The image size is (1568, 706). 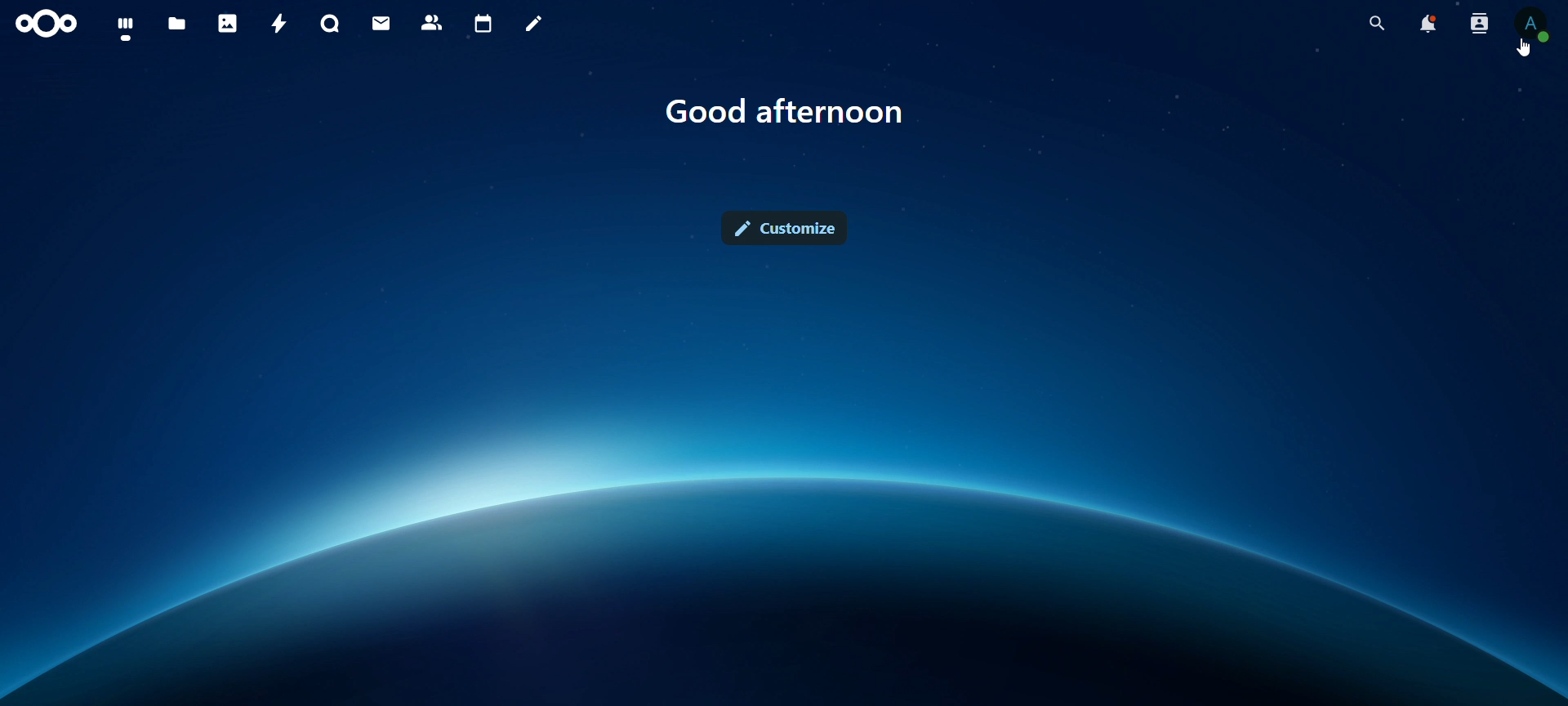 What do you see at coordinates (783, 227) in the screenshot?
I see `customize` at bounding box center [783, 227].